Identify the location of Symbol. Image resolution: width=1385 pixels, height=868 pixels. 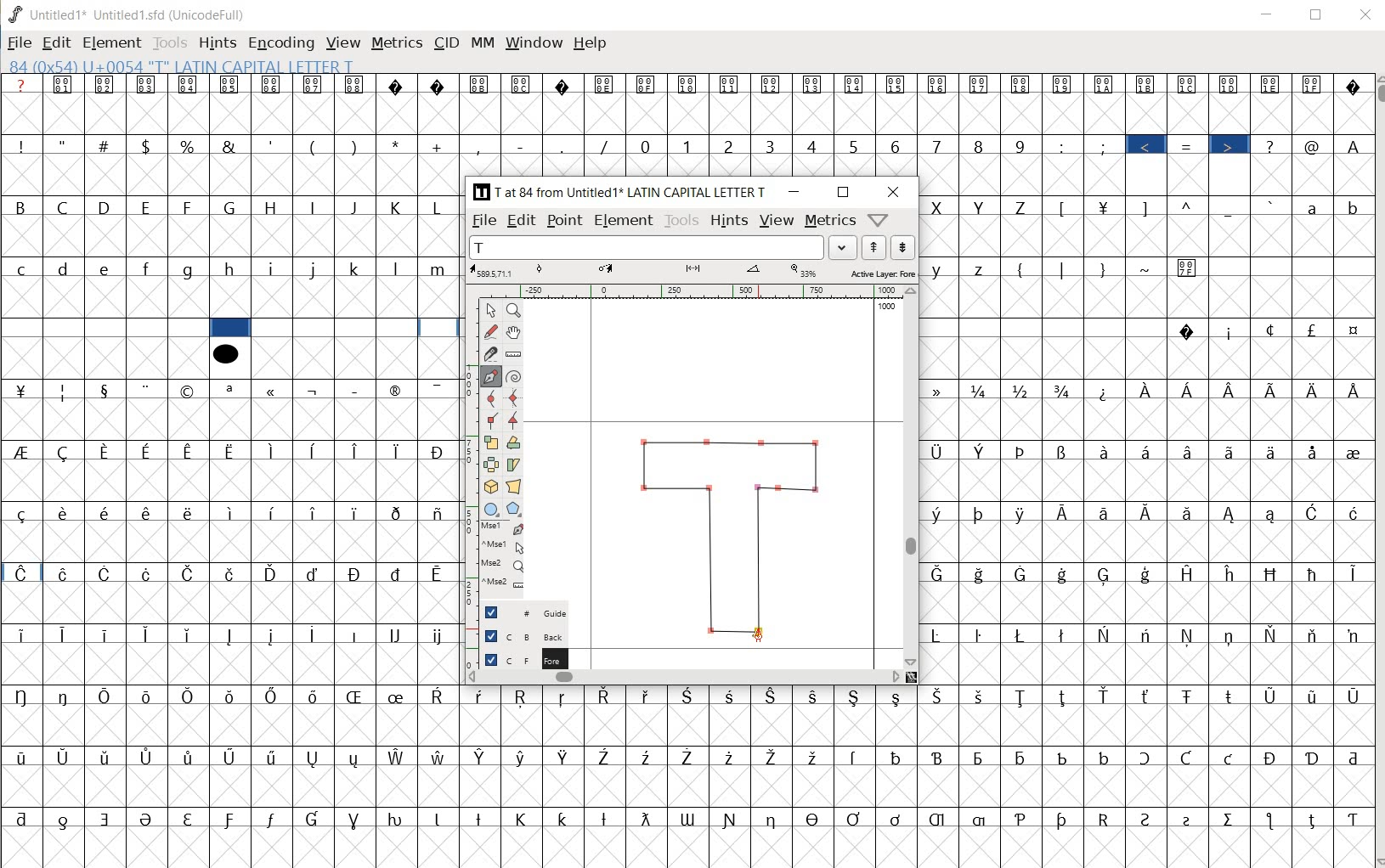
(1024, 391).